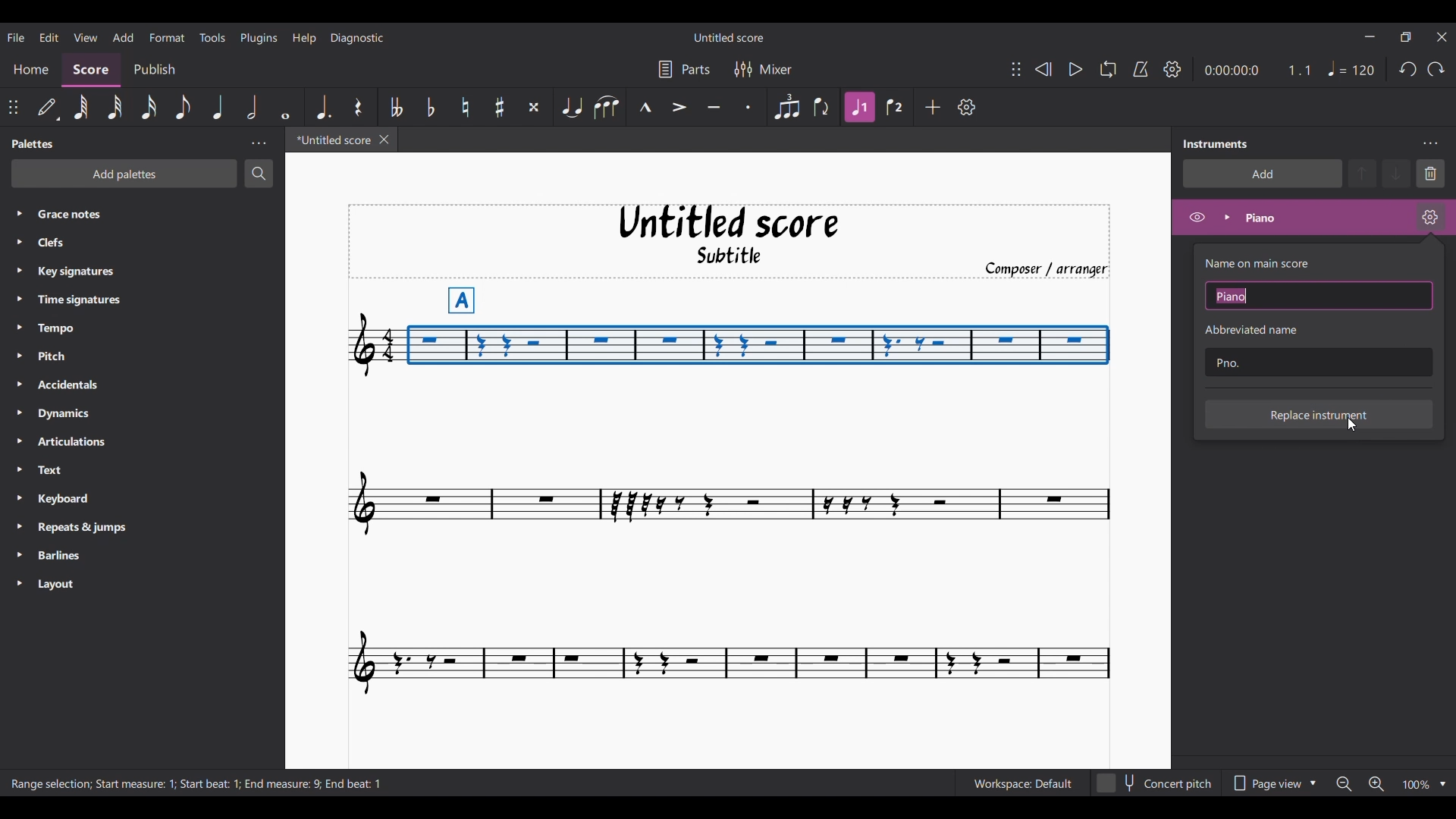 The height and width of the screenshot is (819, 1456). I want to click on Quarter note, so click(218, 107).